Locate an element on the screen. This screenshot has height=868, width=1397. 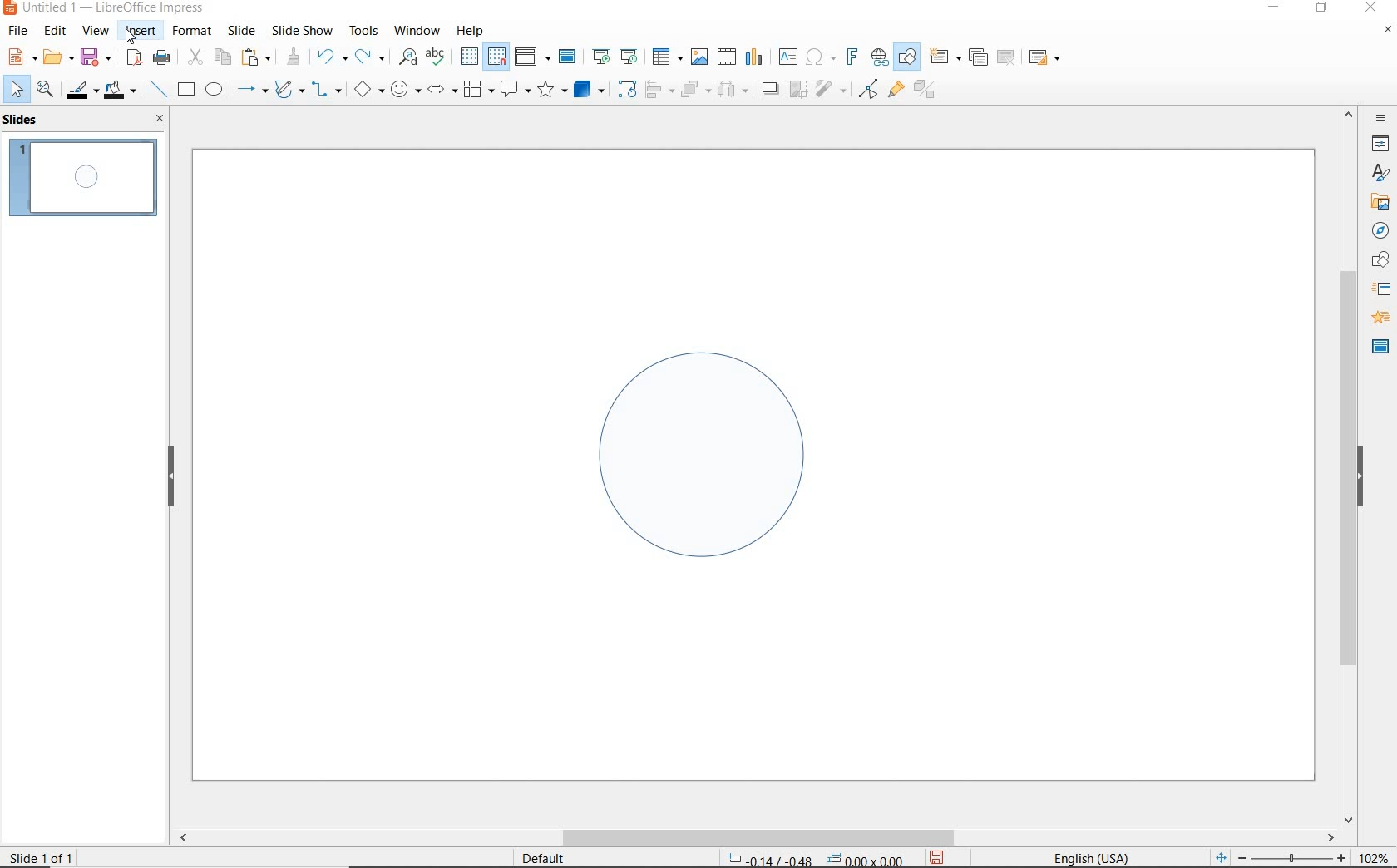
insert video is located at coordinates (725, 56).